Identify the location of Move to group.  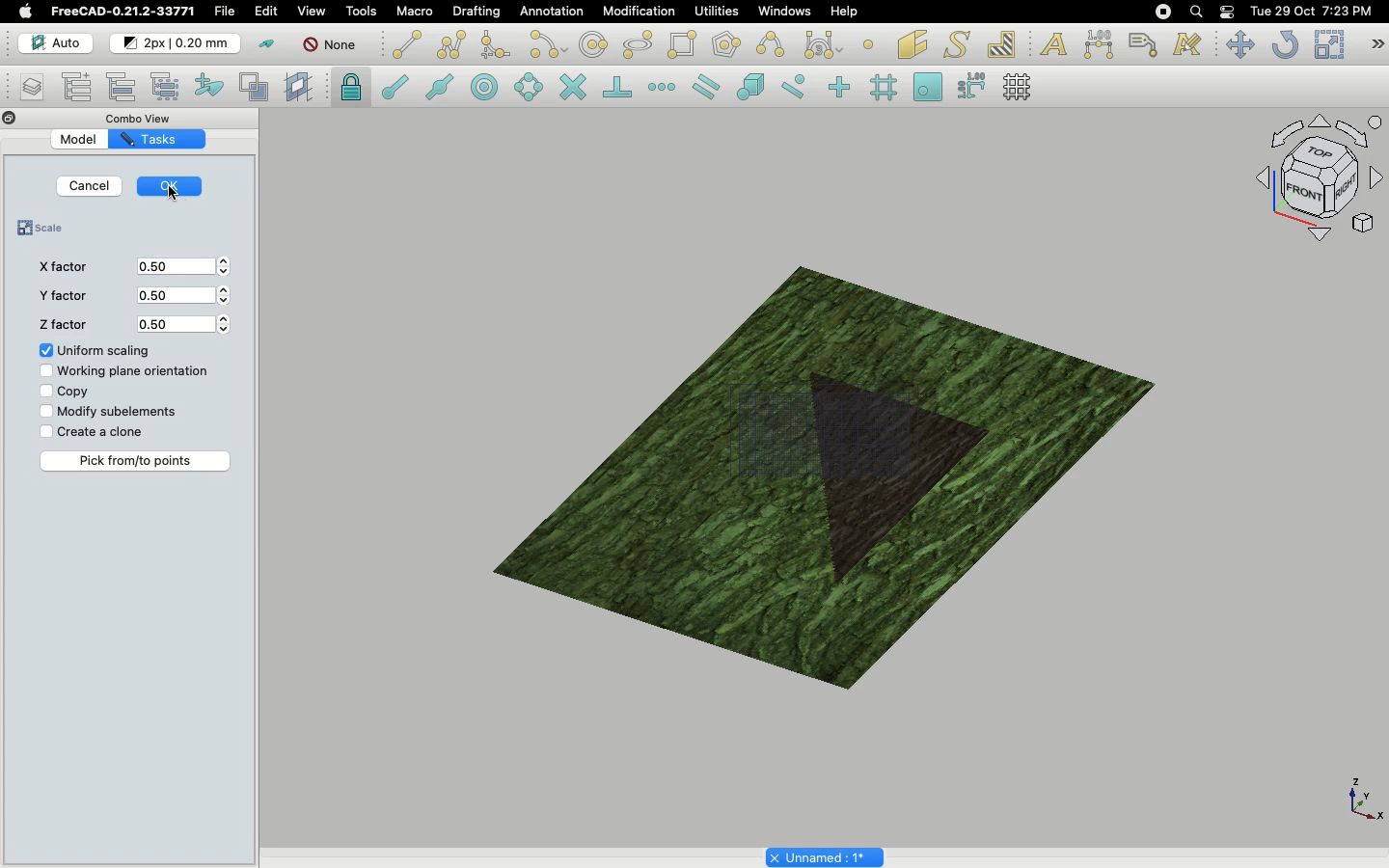
(123, 86).